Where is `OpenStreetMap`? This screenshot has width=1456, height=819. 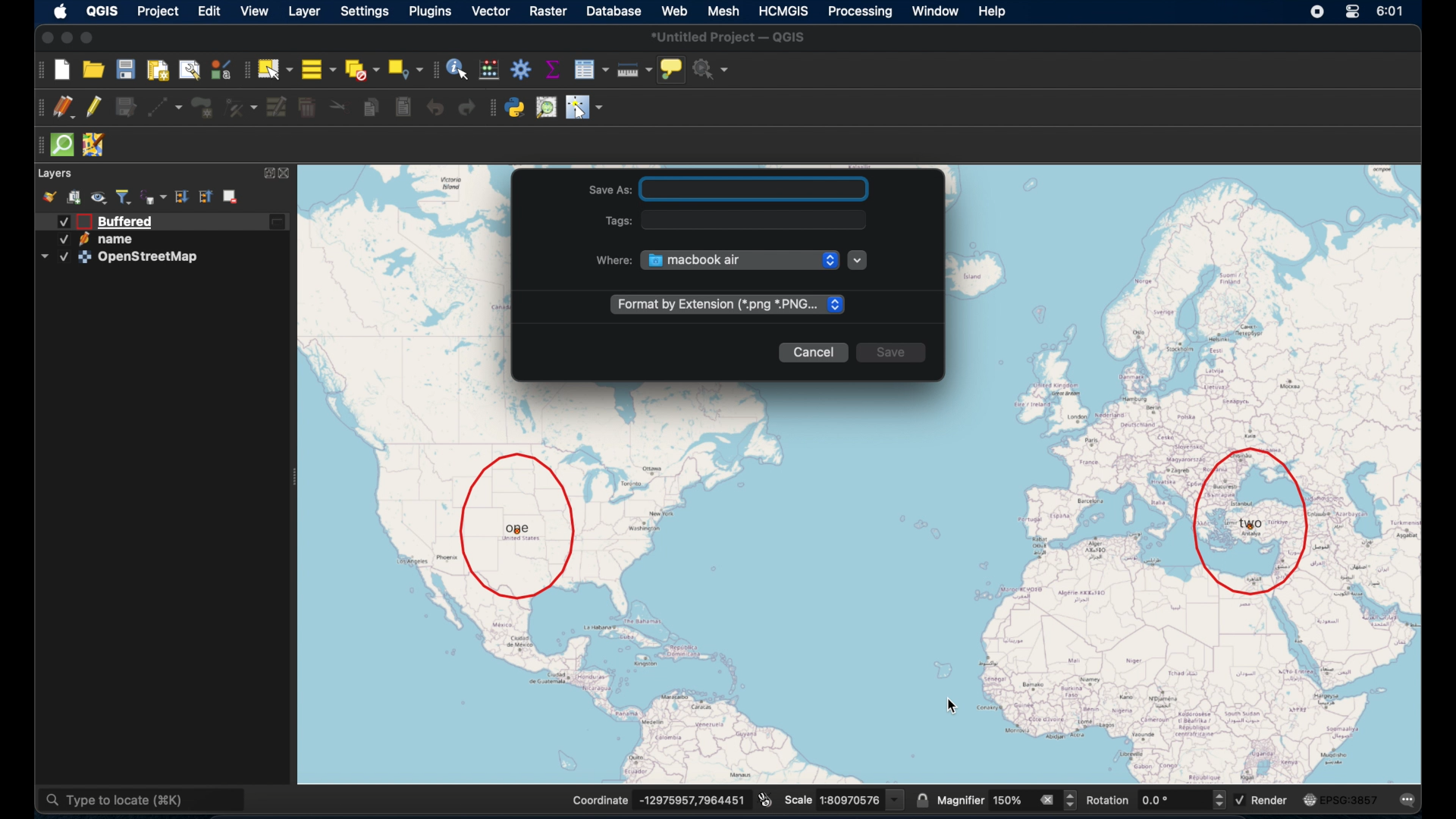 OpenStreetMap is located at coordinates (152, 259).